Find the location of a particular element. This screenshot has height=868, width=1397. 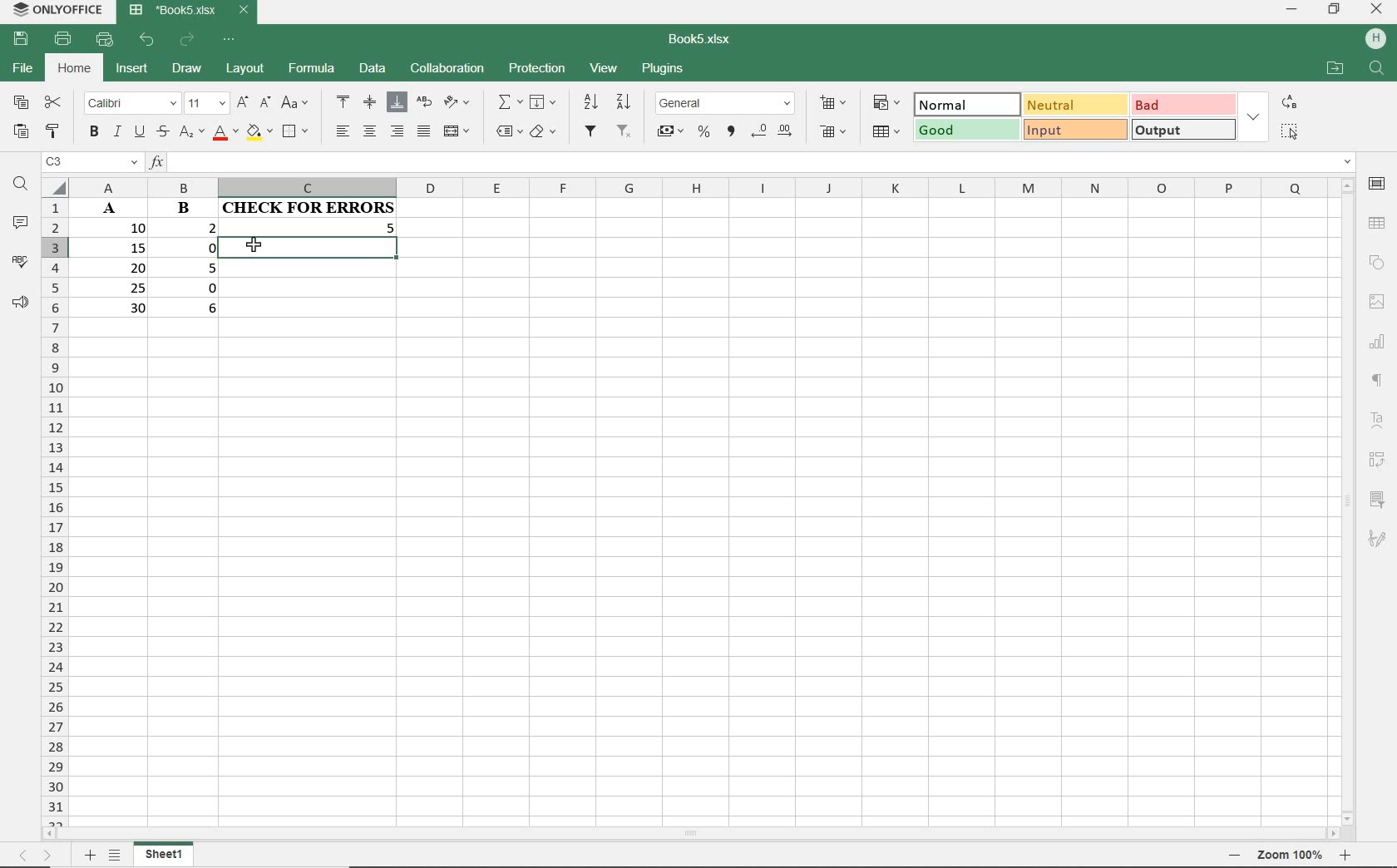

SHAPE is located at coordinates (1375, 261).